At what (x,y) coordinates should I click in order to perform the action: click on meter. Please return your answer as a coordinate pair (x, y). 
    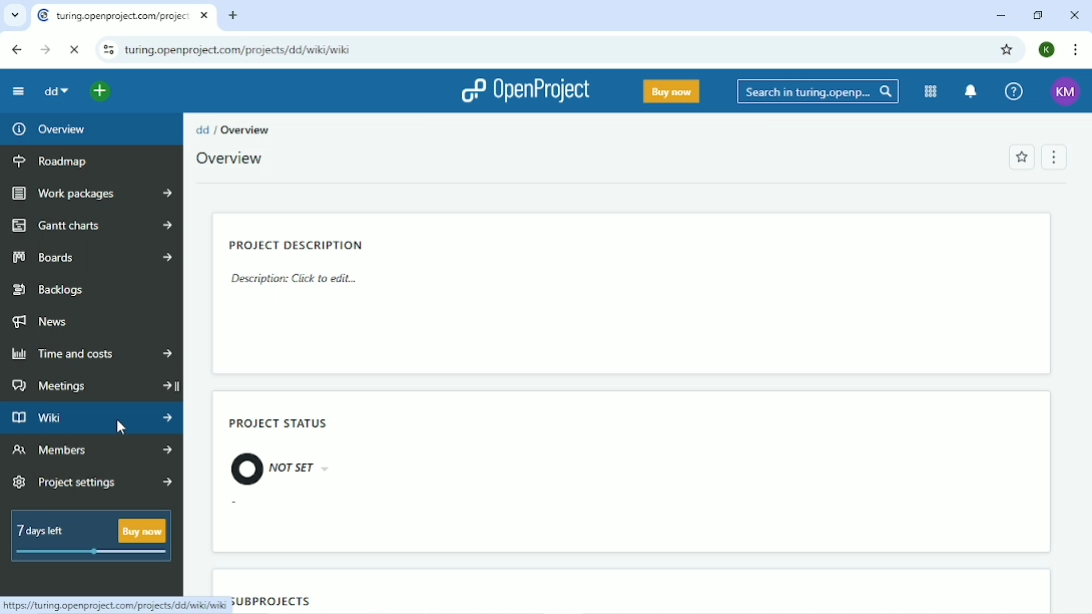
    Looking at the image, I should click on (96, 553).